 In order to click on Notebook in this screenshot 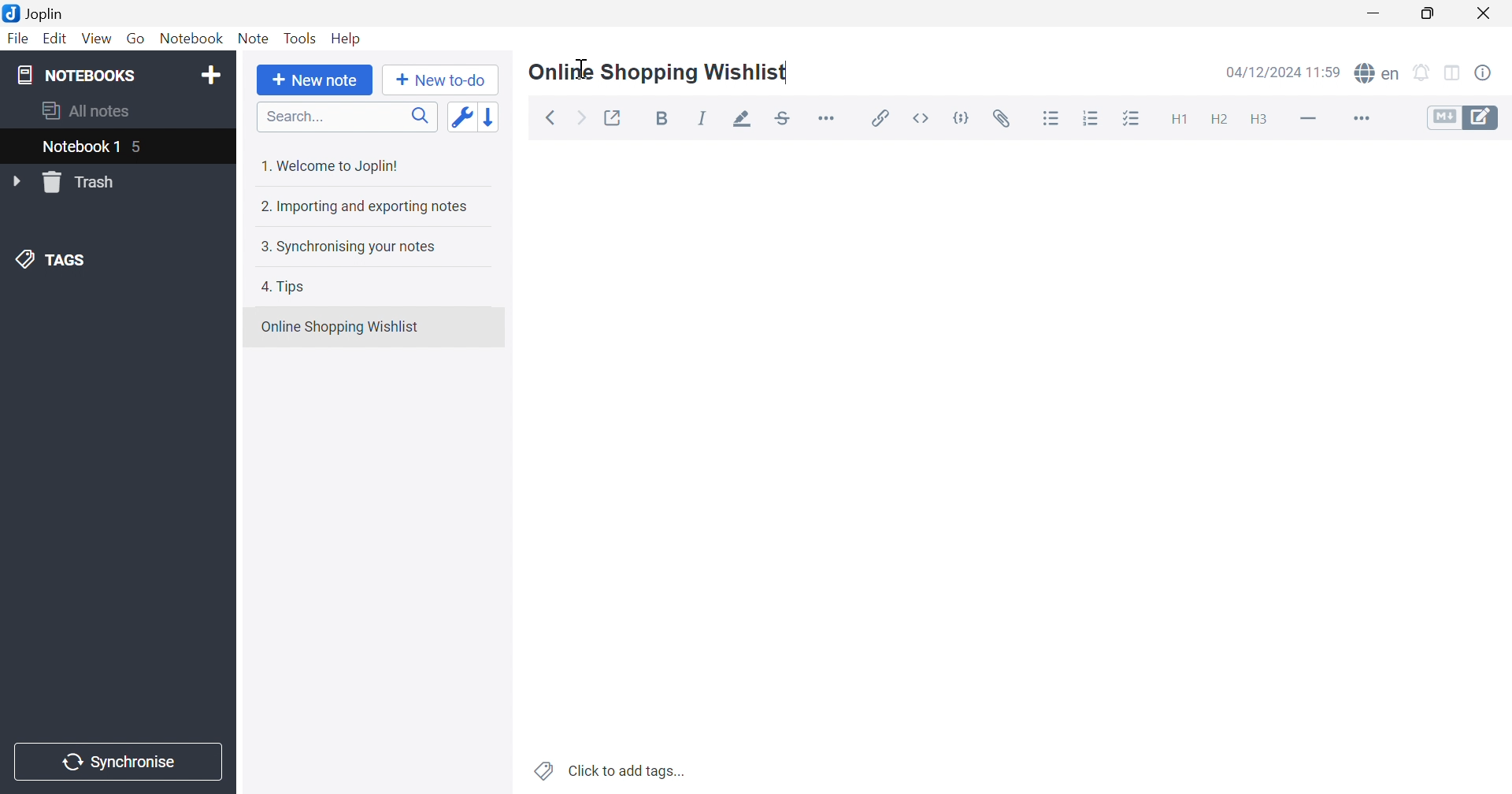, I will do `click(191, 38)`.